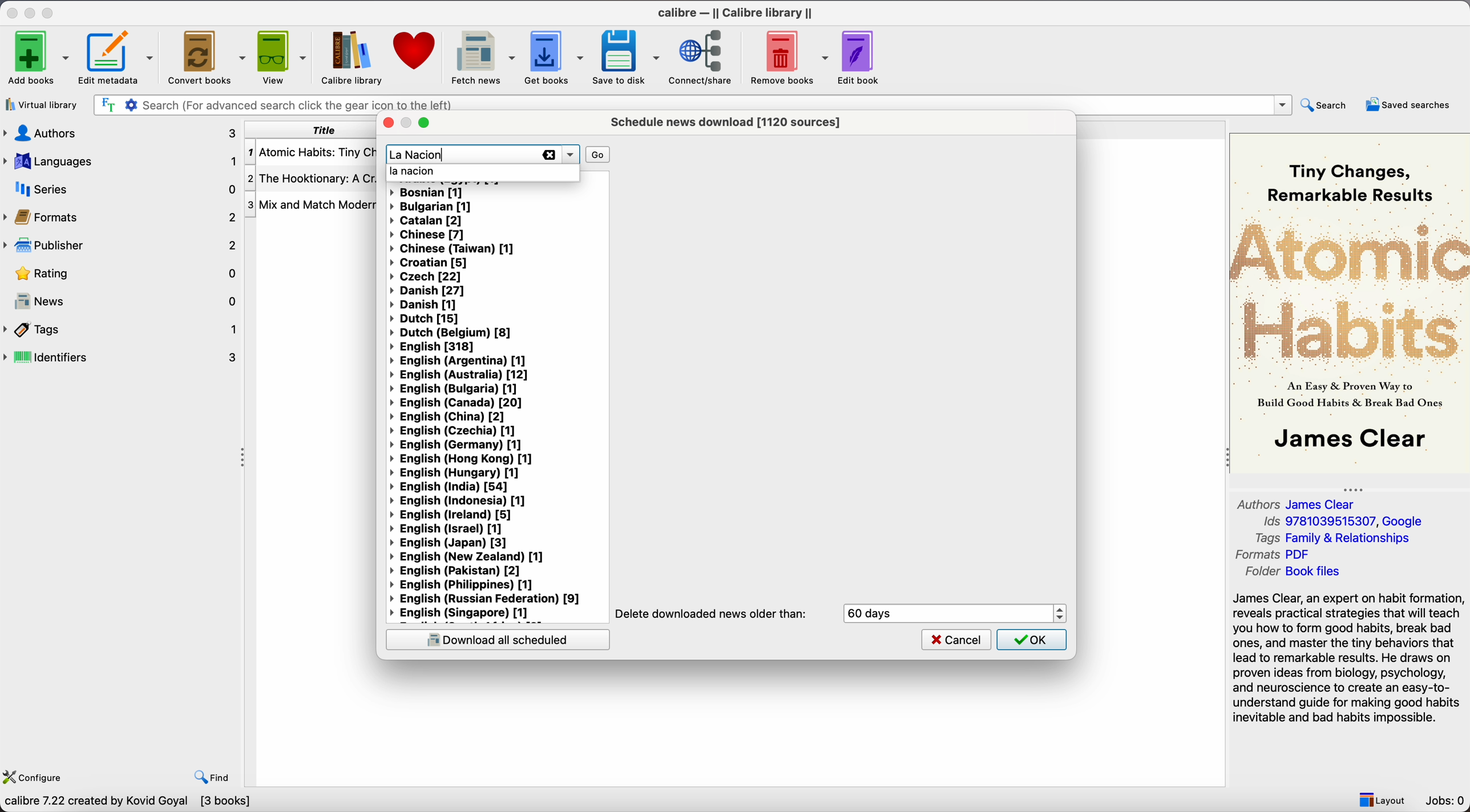 The height and width of the screenshot is (812, 1470). I want to click on Danish [27], so click(431, 292).